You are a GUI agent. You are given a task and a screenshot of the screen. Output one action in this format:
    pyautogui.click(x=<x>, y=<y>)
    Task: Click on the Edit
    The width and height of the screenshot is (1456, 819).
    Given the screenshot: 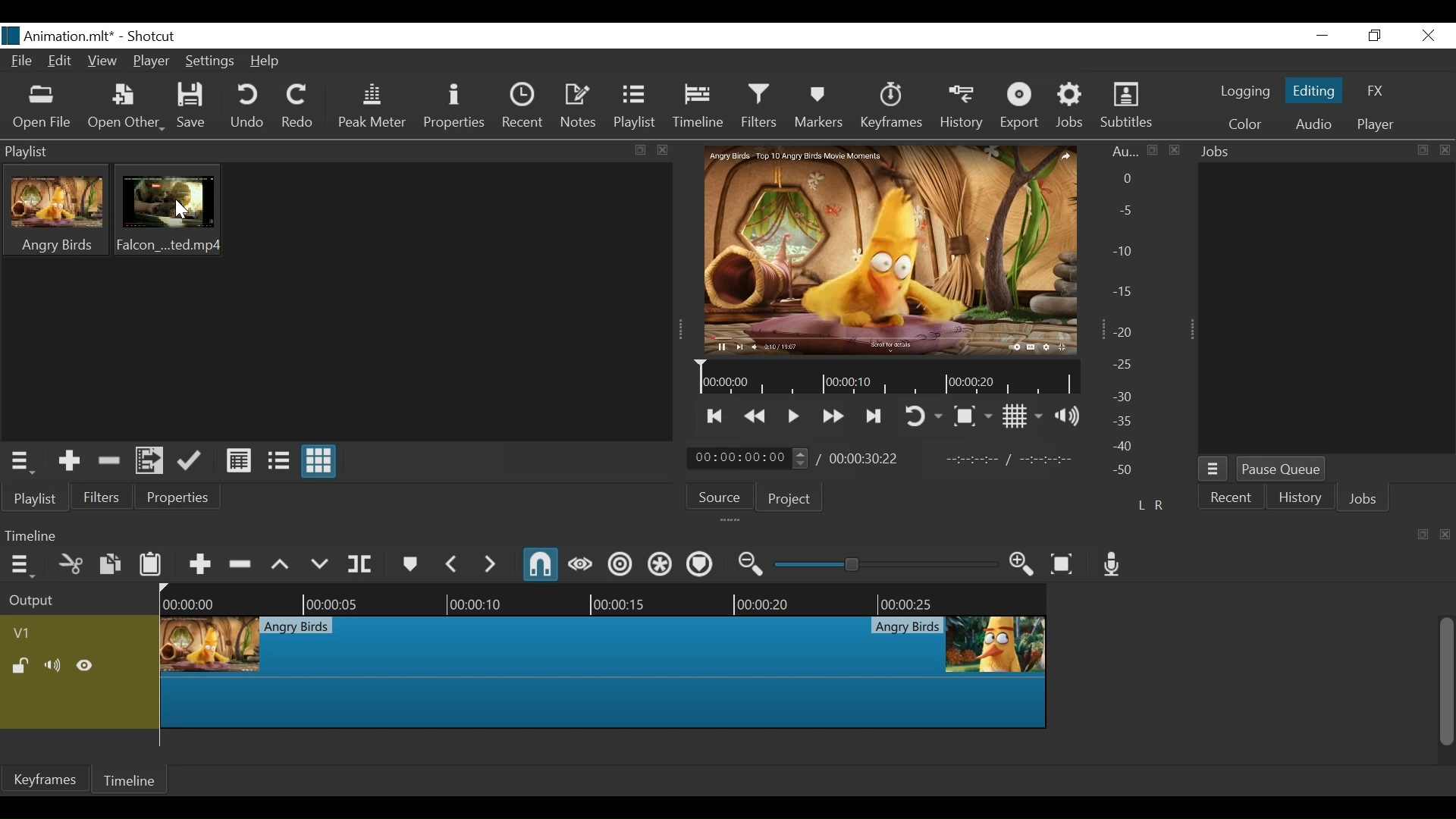 What is the action you would take?
    pyautogui.click(x=61, y=61)
    